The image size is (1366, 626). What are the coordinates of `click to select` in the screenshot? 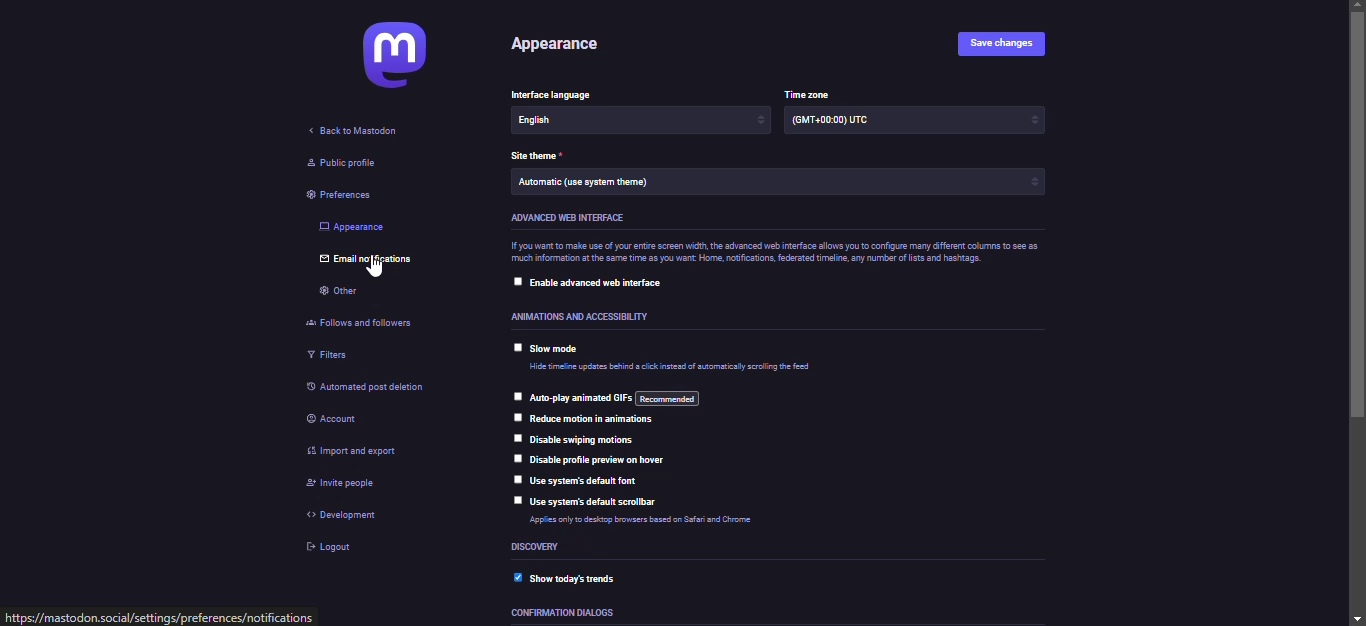 It's located at (515, 279).